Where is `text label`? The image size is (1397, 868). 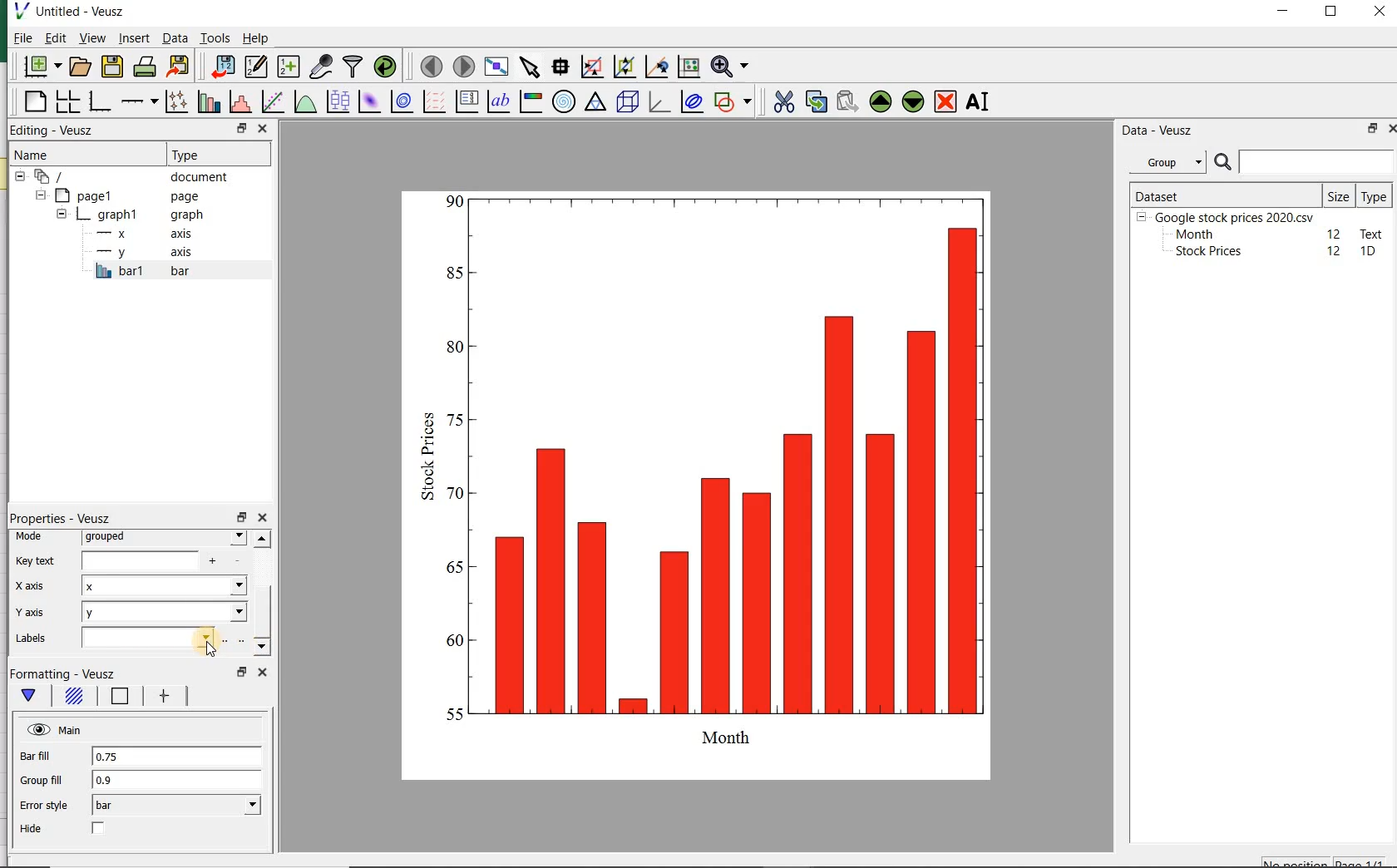 text label is located at coordinates (498, 103).